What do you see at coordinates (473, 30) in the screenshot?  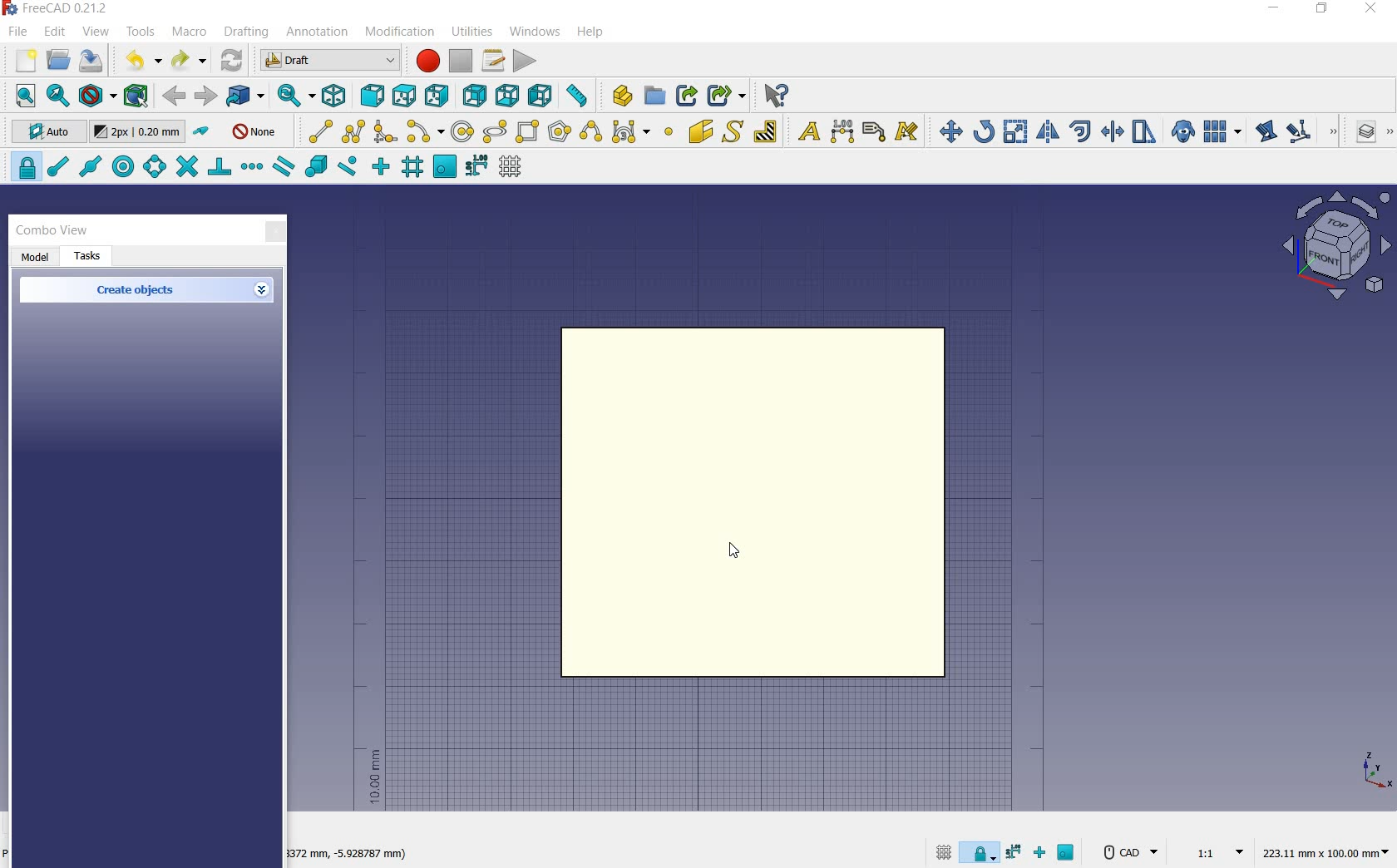 I see `utilities` at bounding box center [473, 30].